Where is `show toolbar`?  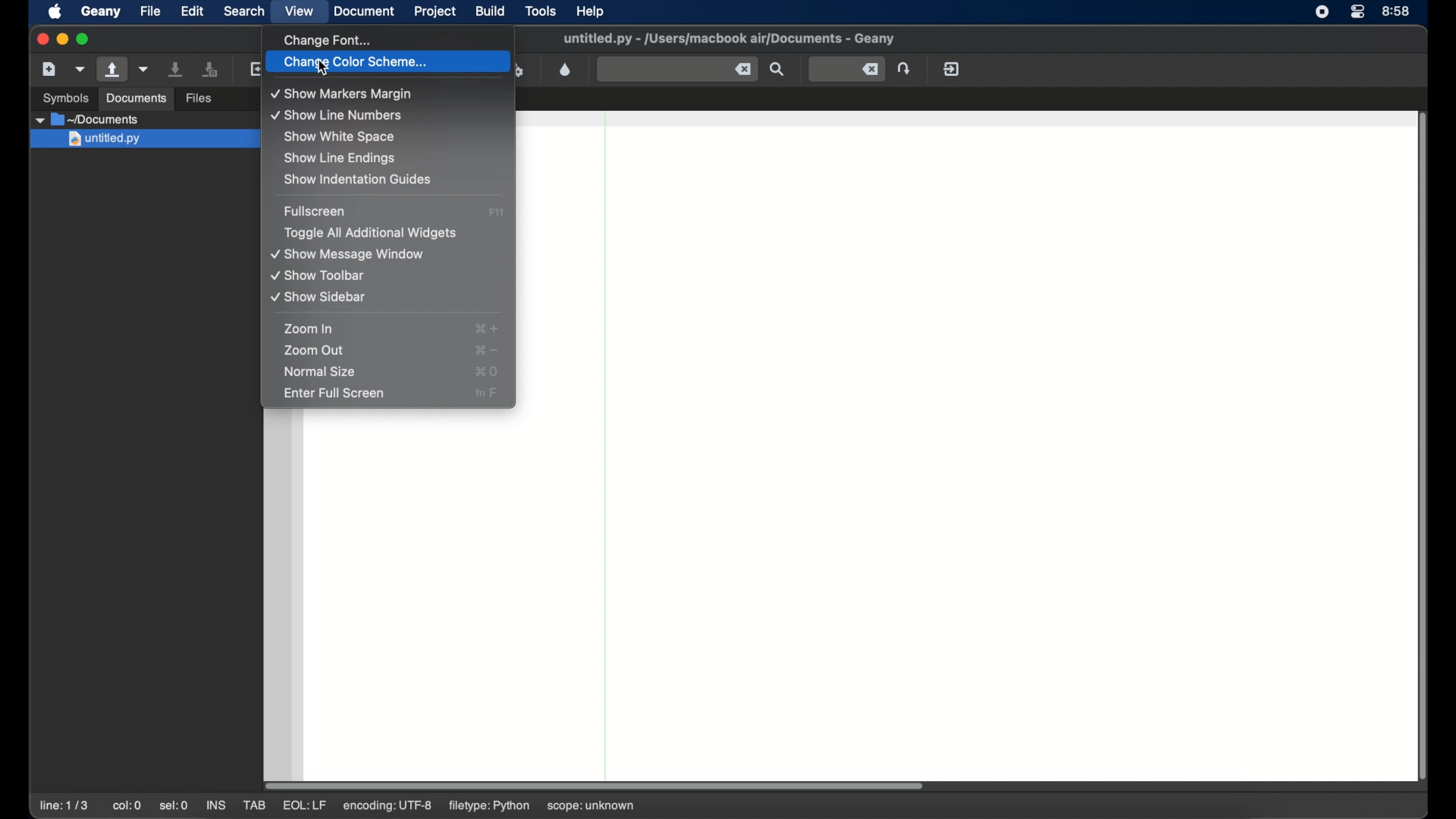
show toolbar is located at coordinates (318, 275).